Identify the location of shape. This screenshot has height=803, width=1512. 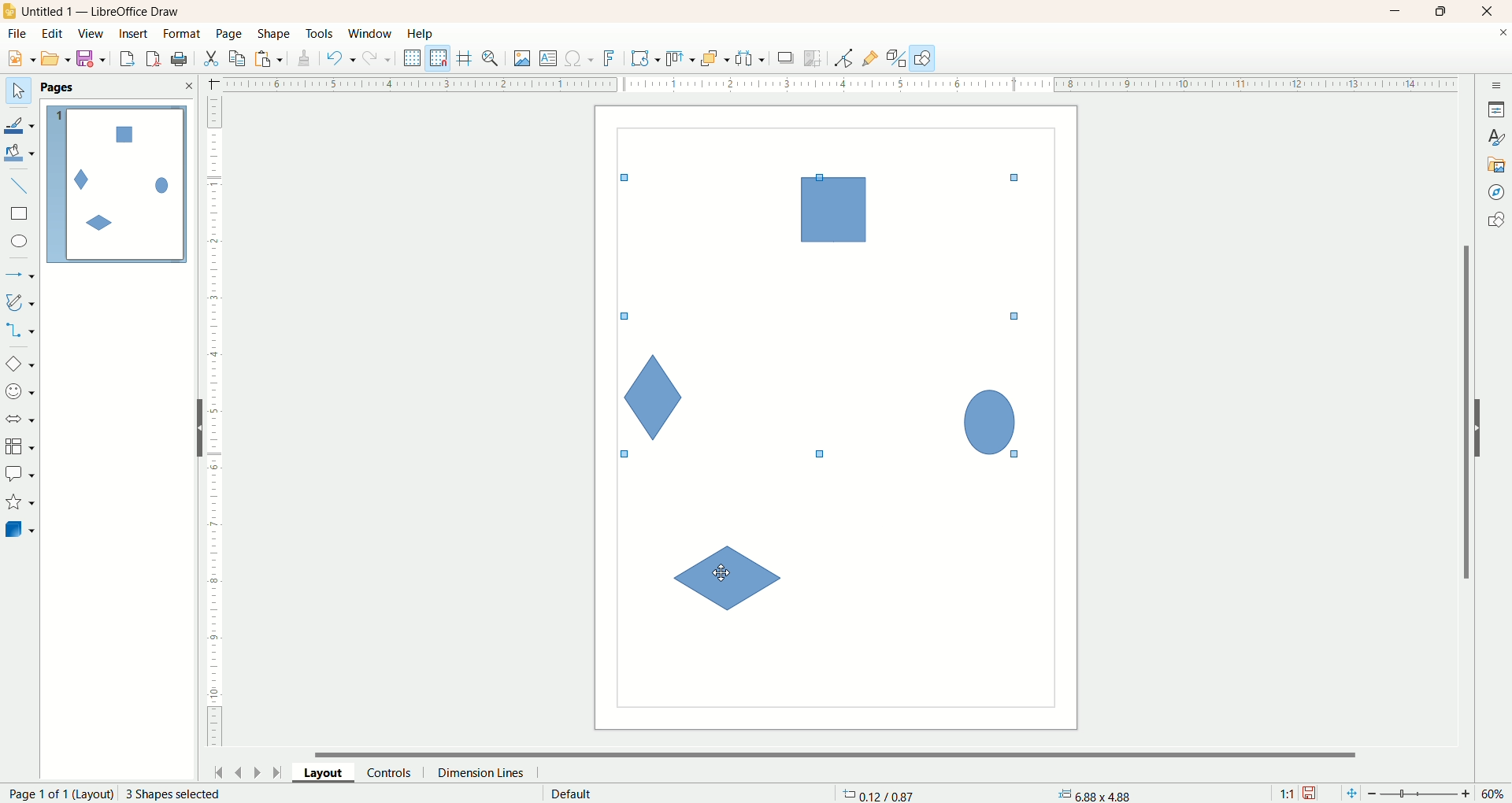
(275, 35).